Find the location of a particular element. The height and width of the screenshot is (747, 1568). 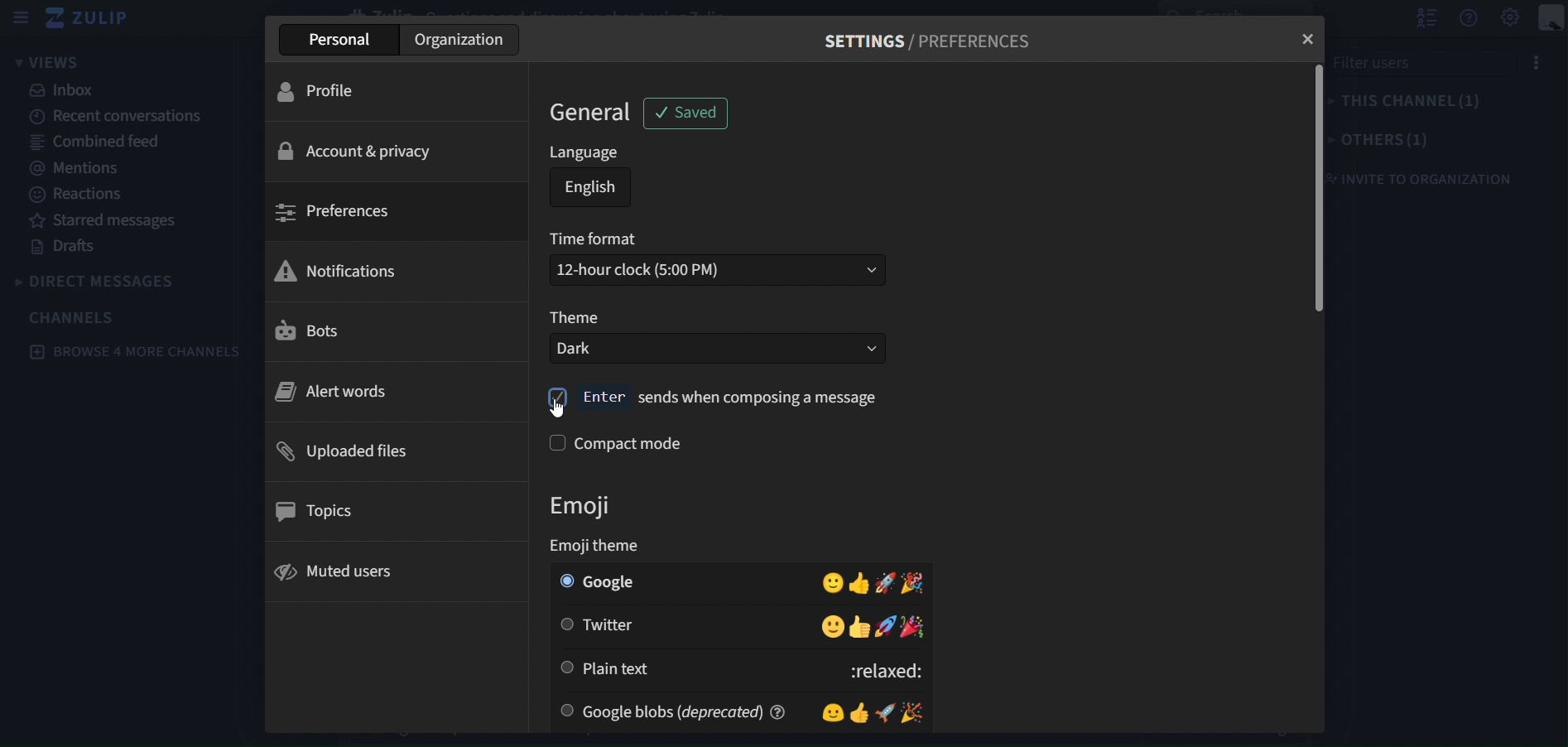

Emojis is located at coordinates (875, 581).